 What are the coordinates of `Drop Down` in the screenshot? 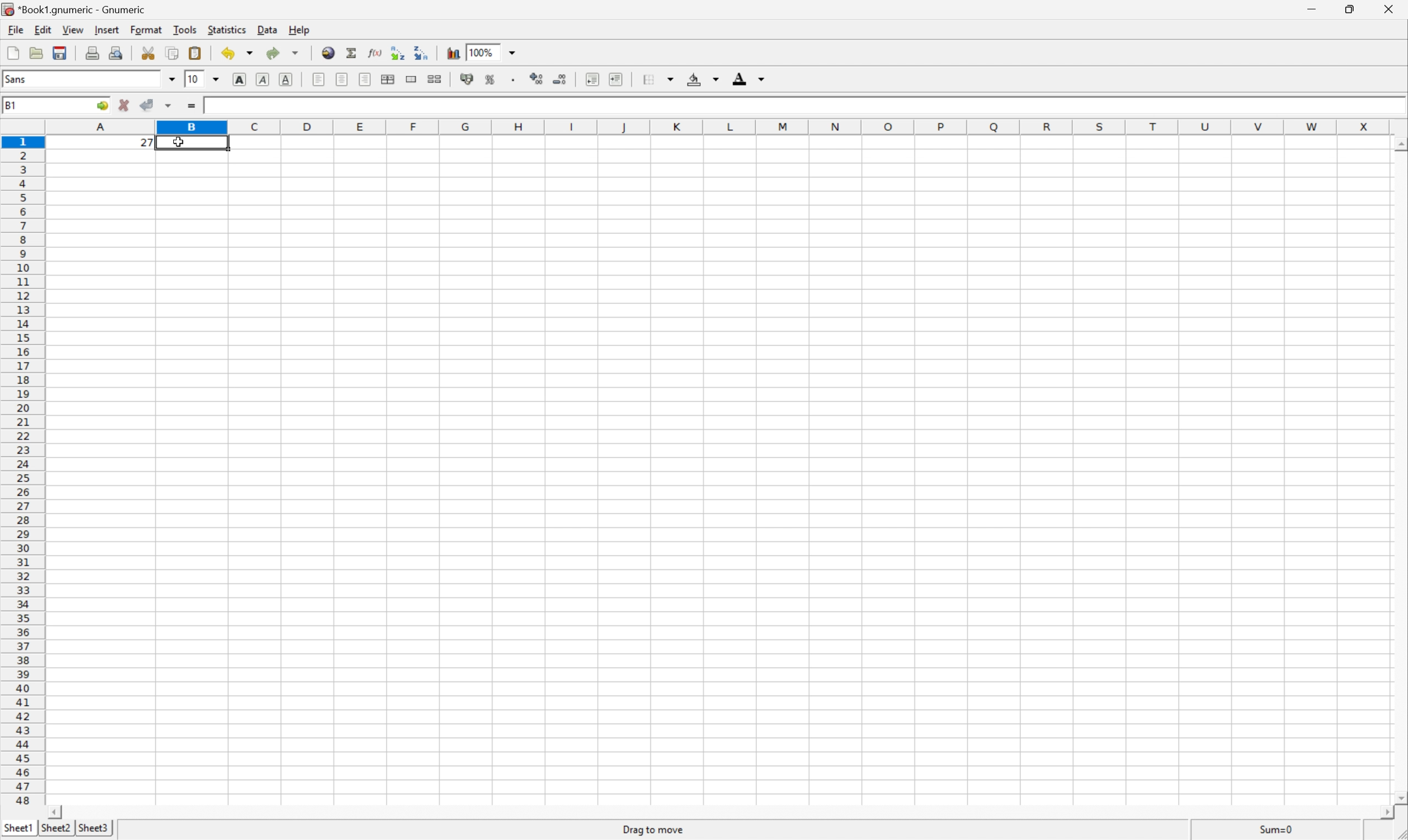 It's located at (513, 52).